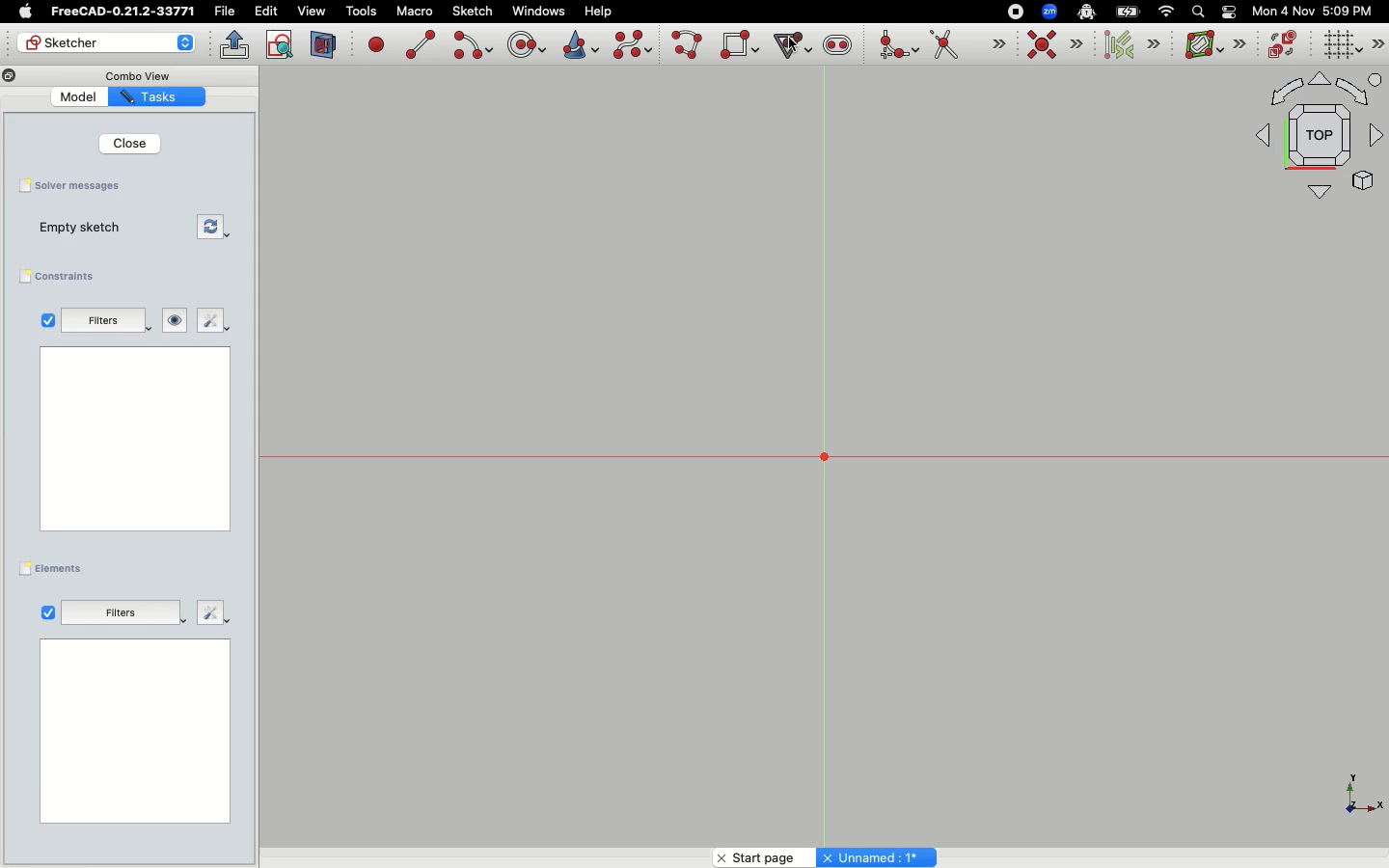 The width and height of the screenshot is (1389, 868). What do you see at coordinates (86, 227) in the screenshot?
I see `Empty sketch` at bounding box center [86, 227].